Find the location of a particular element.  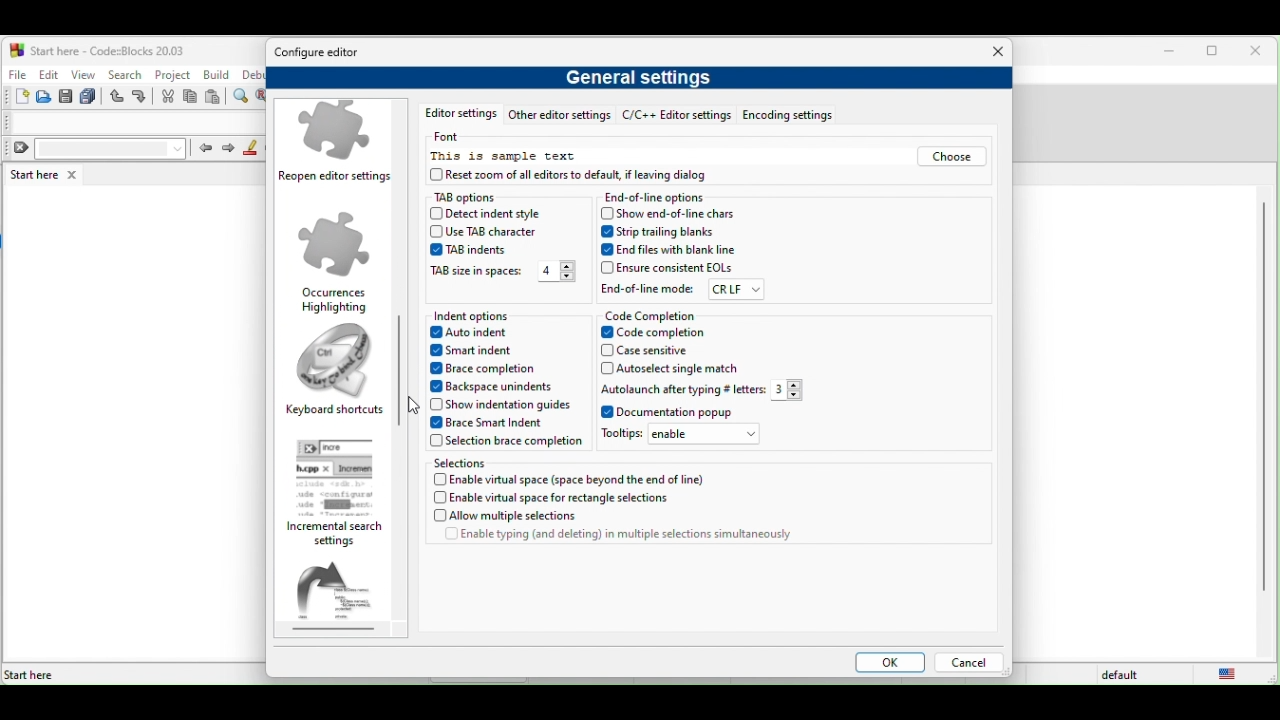

next  is located at coordinates (228, 149).